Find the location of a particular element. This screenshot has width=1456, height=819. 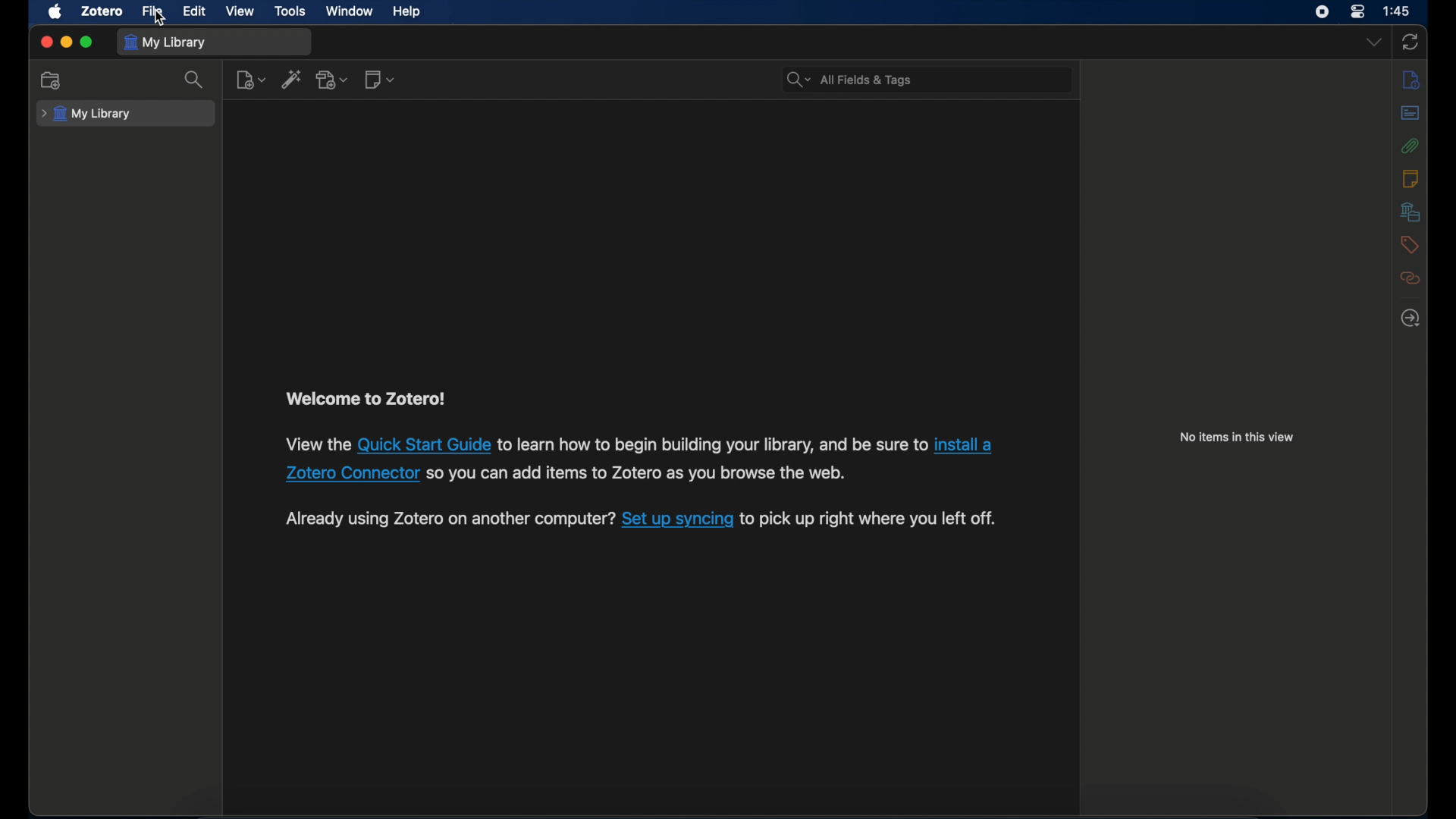

abstract is located at coordinates (1410, 113).